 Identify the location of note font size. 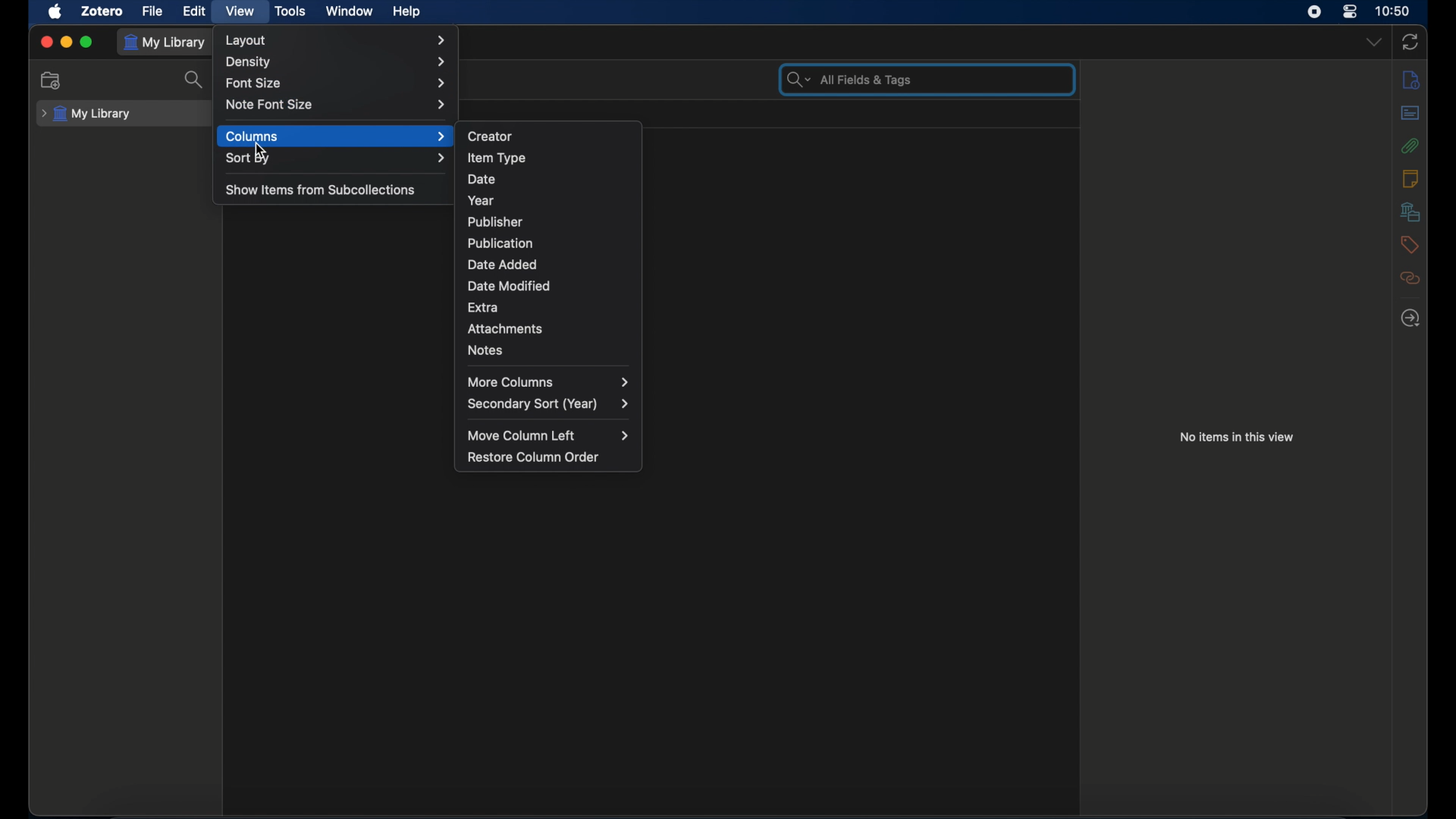
(337, 105).